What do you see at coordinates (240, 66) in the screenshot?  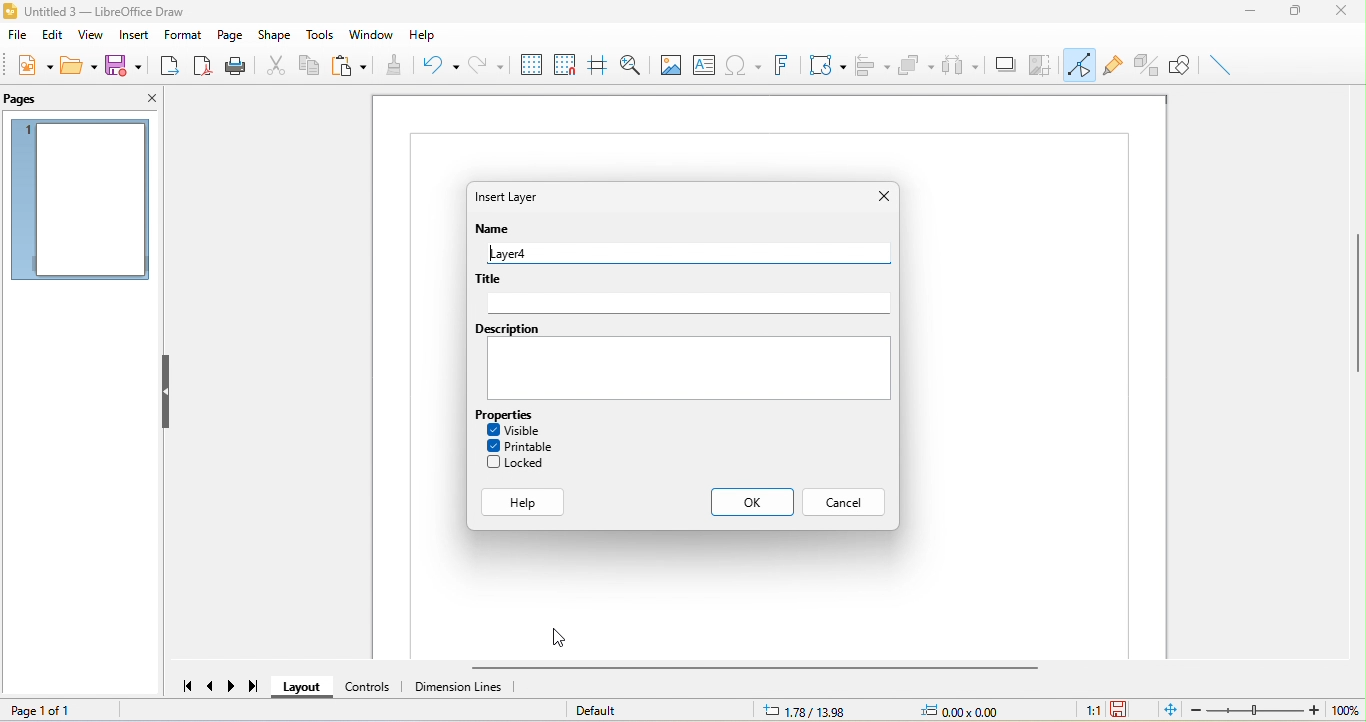 I see `print` at bounding box center [240, 66].